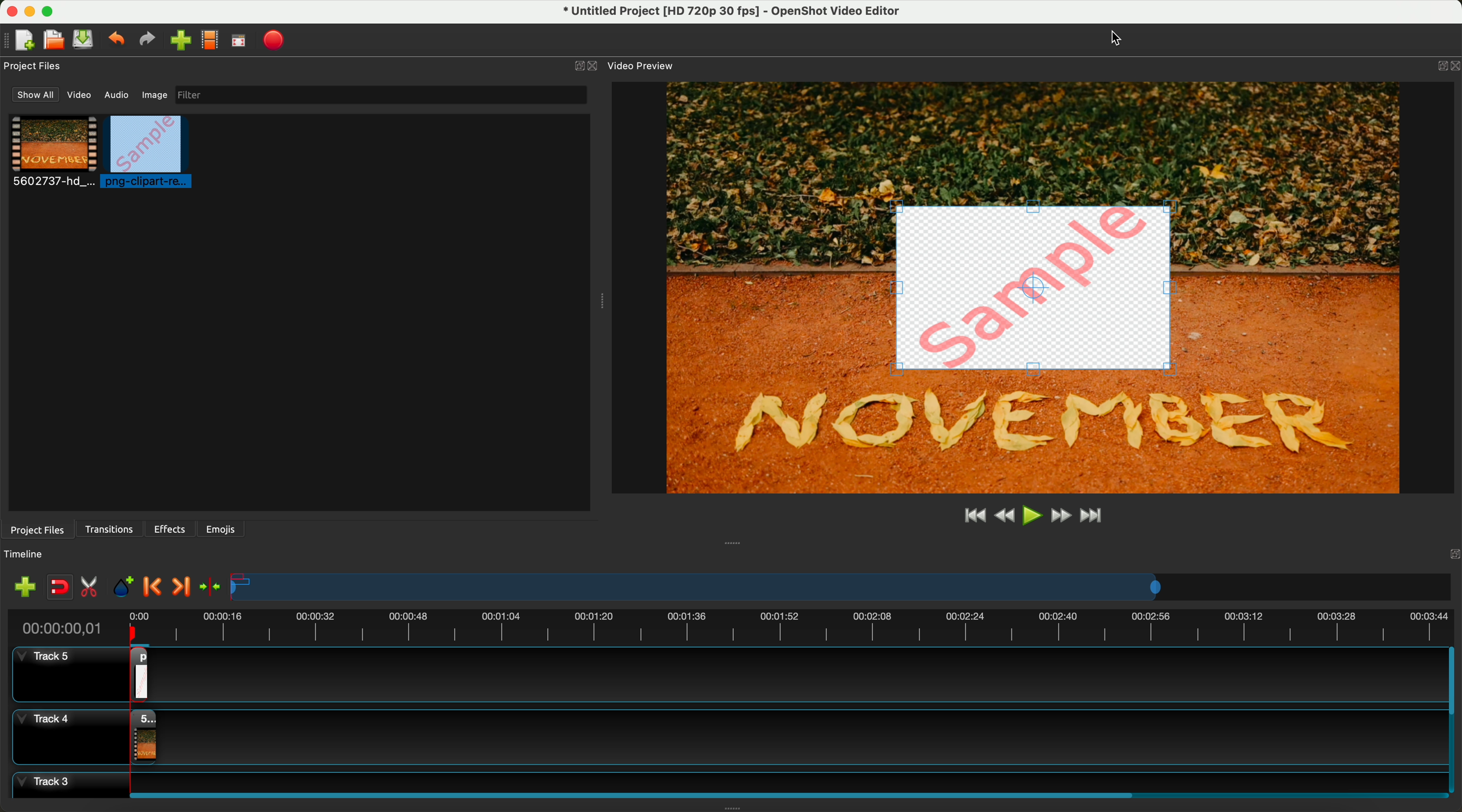 The height and width of the screenshot is (812, 1462). I want to click on video, so click(54, 153).